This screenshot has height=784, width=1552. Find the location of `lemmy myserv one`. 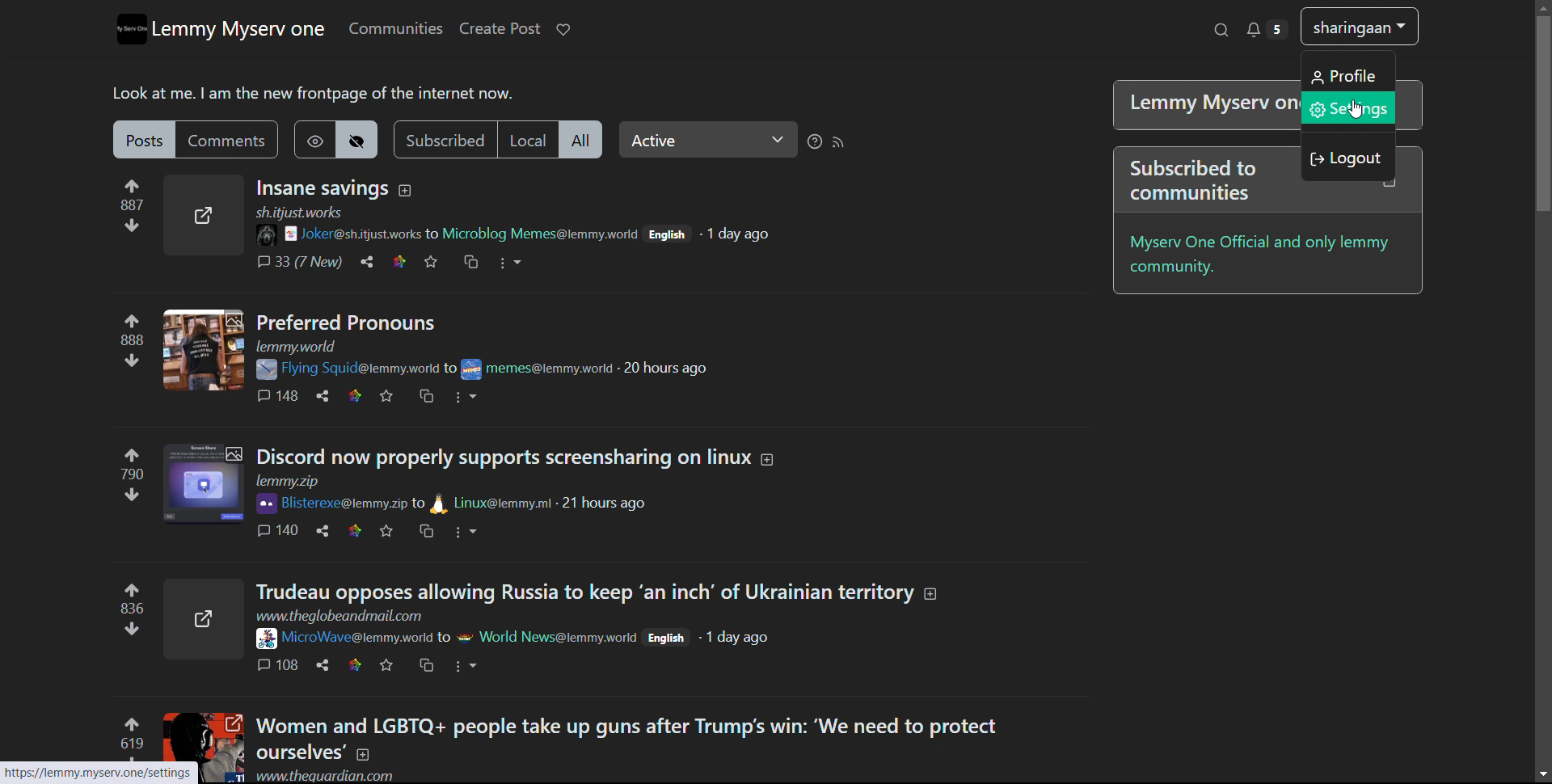

lemmy myserv one is located at coordinates (239, 30).